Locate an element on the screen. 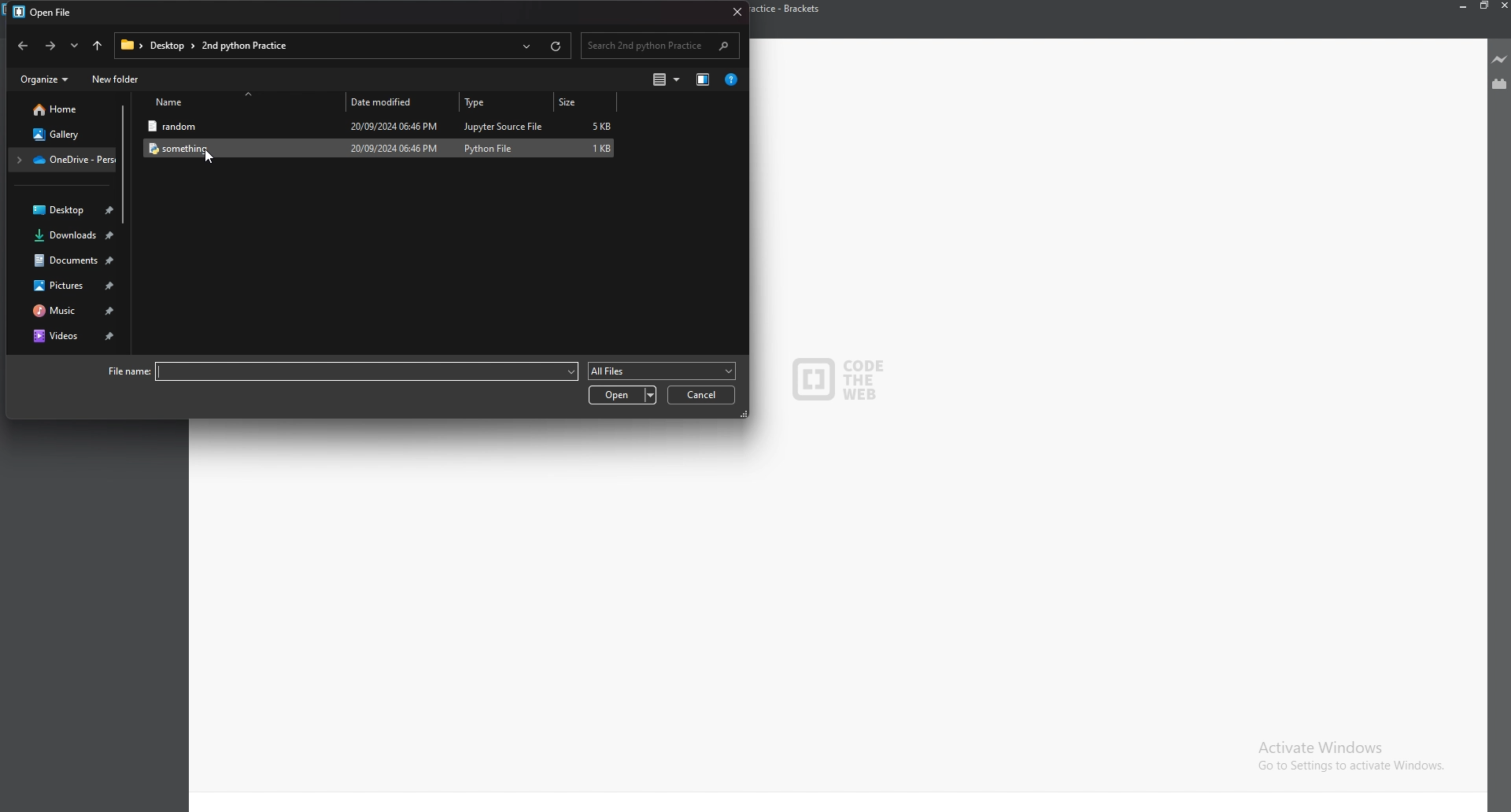 Image resolution: width=1511 pixels, height=812 pixels. open file is located at coordinates (46, 14).